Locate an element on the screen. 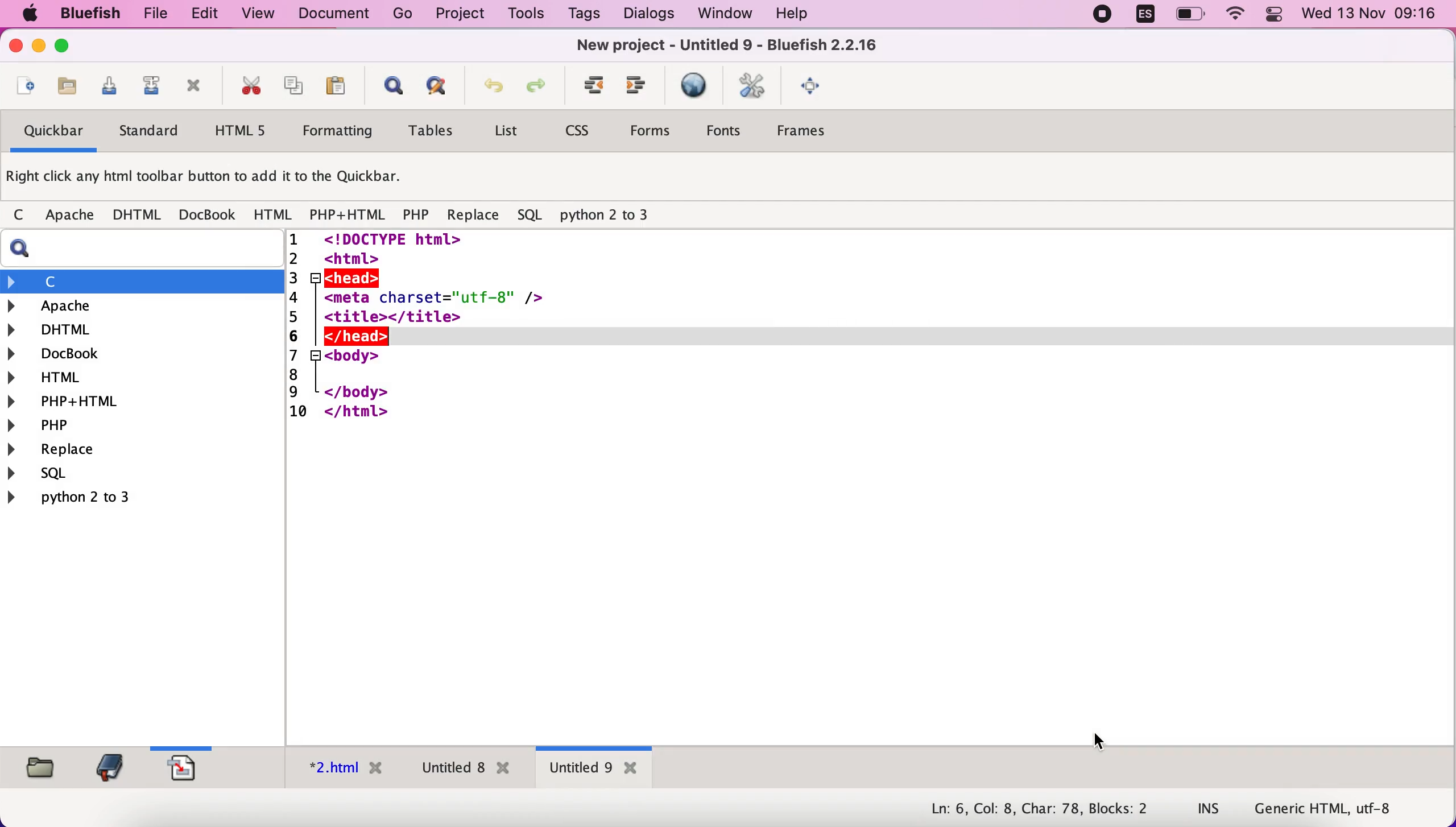  save file is located at coordinates (65, 87).